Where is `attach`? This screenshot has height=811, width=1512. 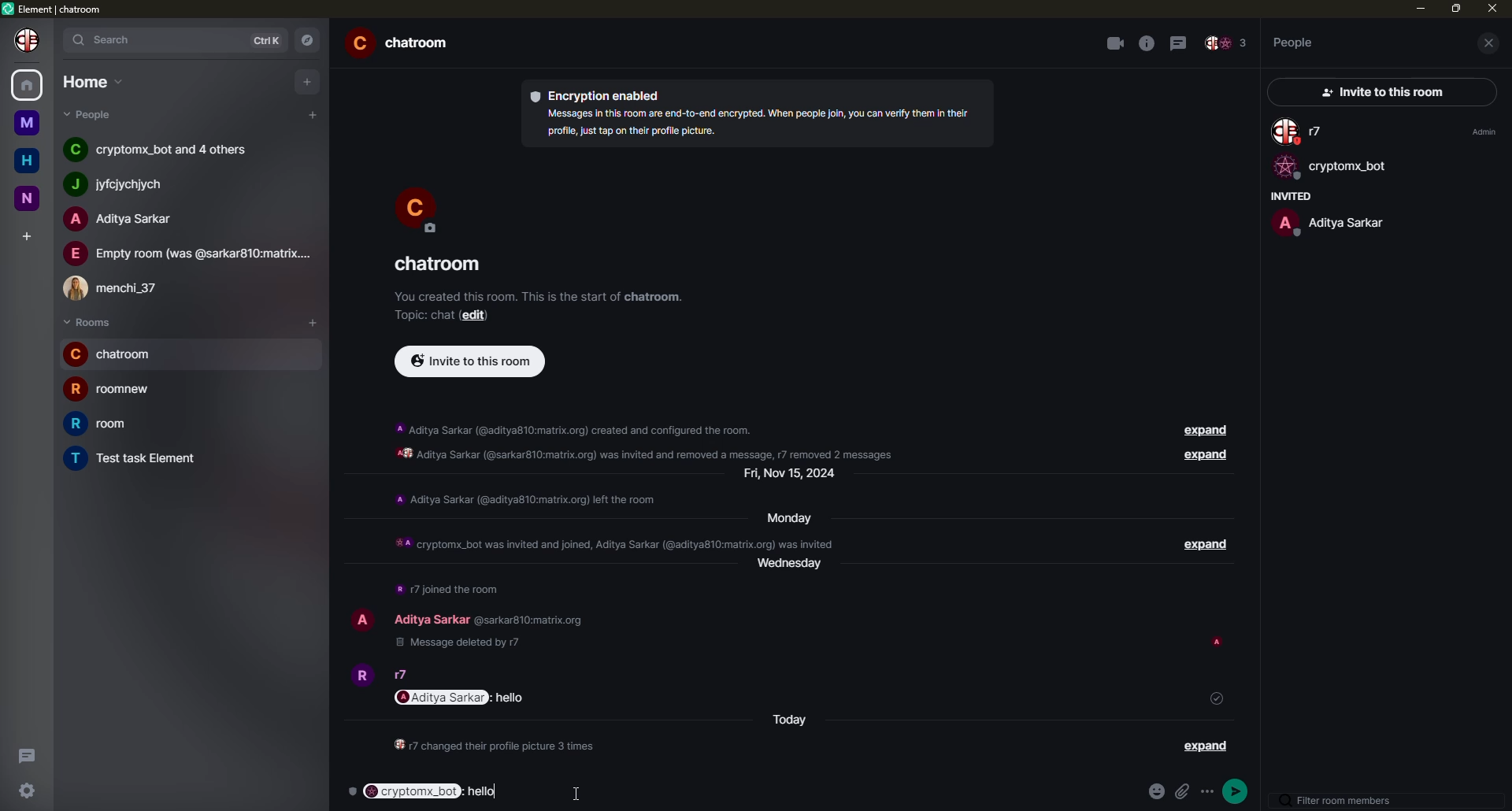
attach is located at coordinates (1186, 793).